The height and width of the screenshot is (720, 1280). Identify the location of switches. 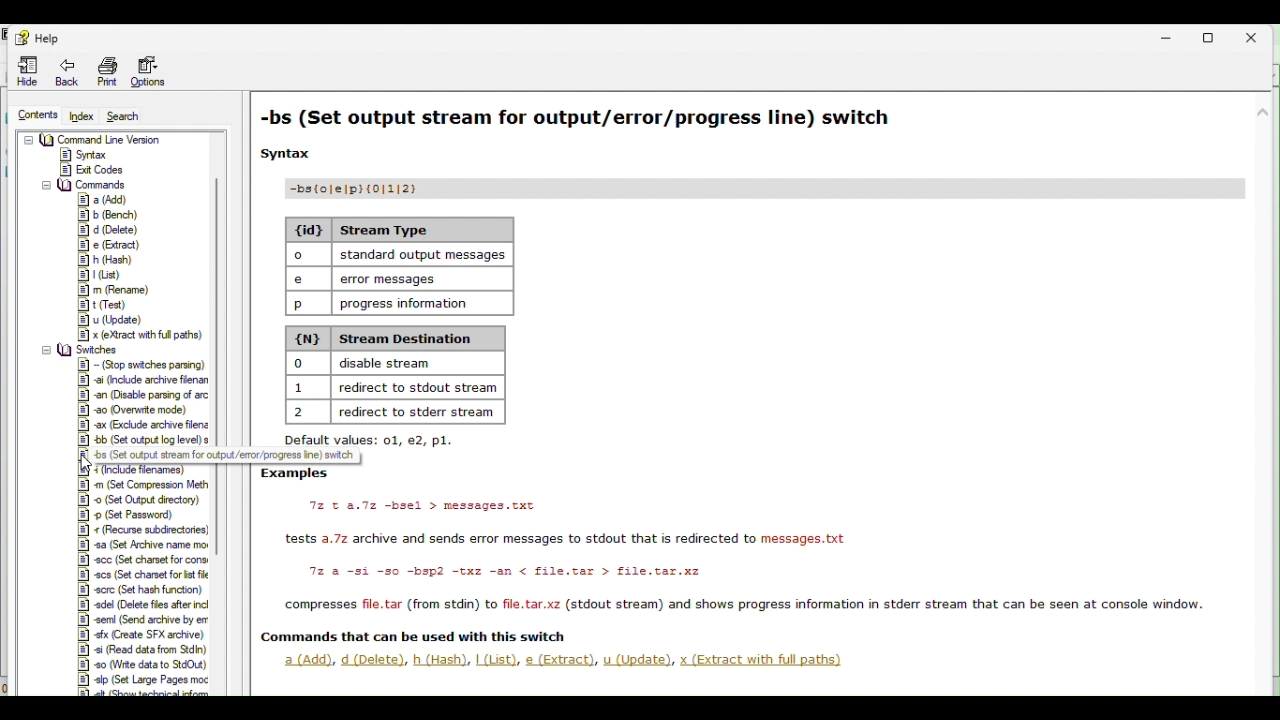
(133, 394).